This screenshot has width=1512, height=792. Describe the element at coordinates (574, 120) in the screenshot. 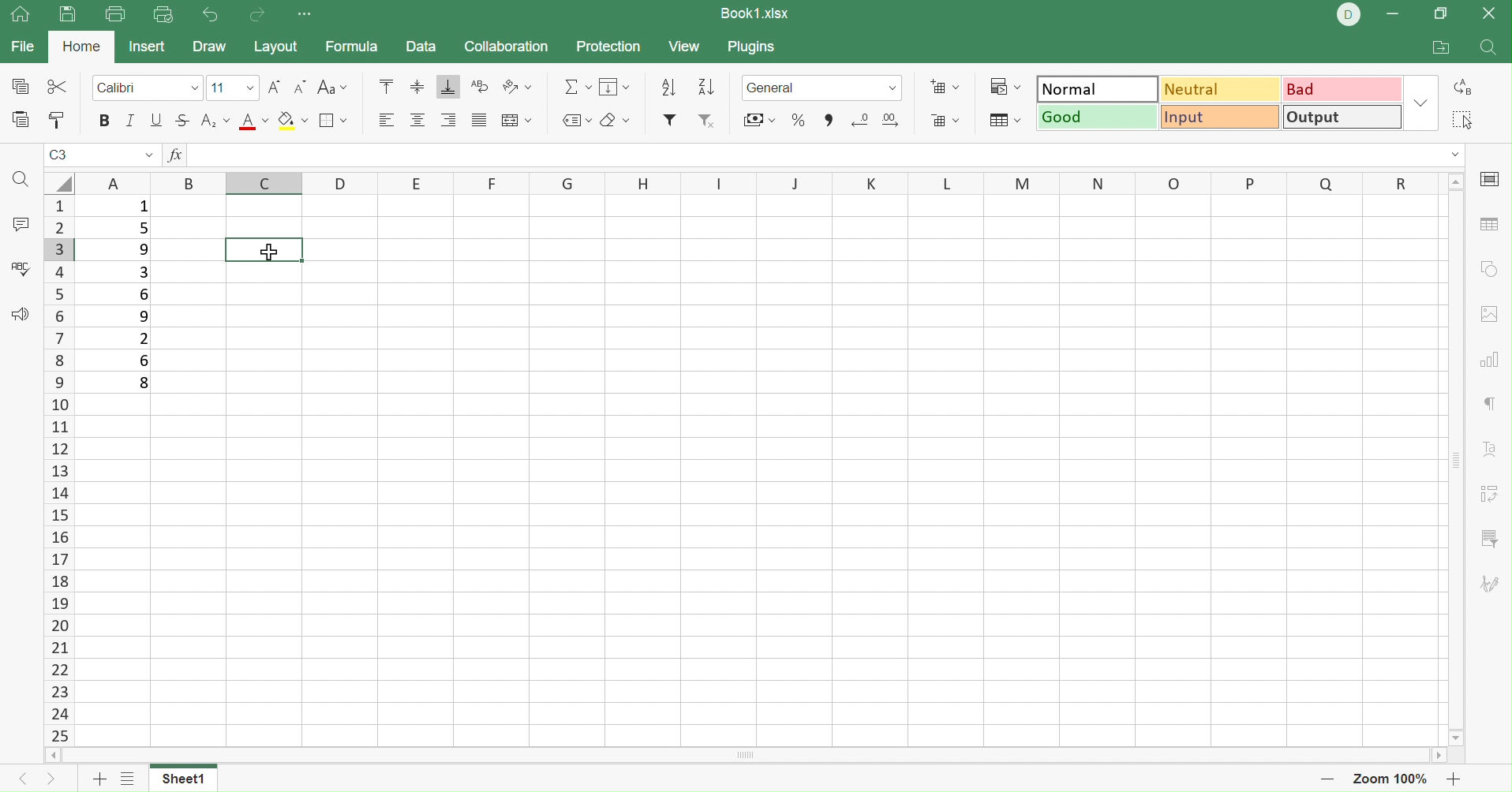

I see `Named ranges` at that location.